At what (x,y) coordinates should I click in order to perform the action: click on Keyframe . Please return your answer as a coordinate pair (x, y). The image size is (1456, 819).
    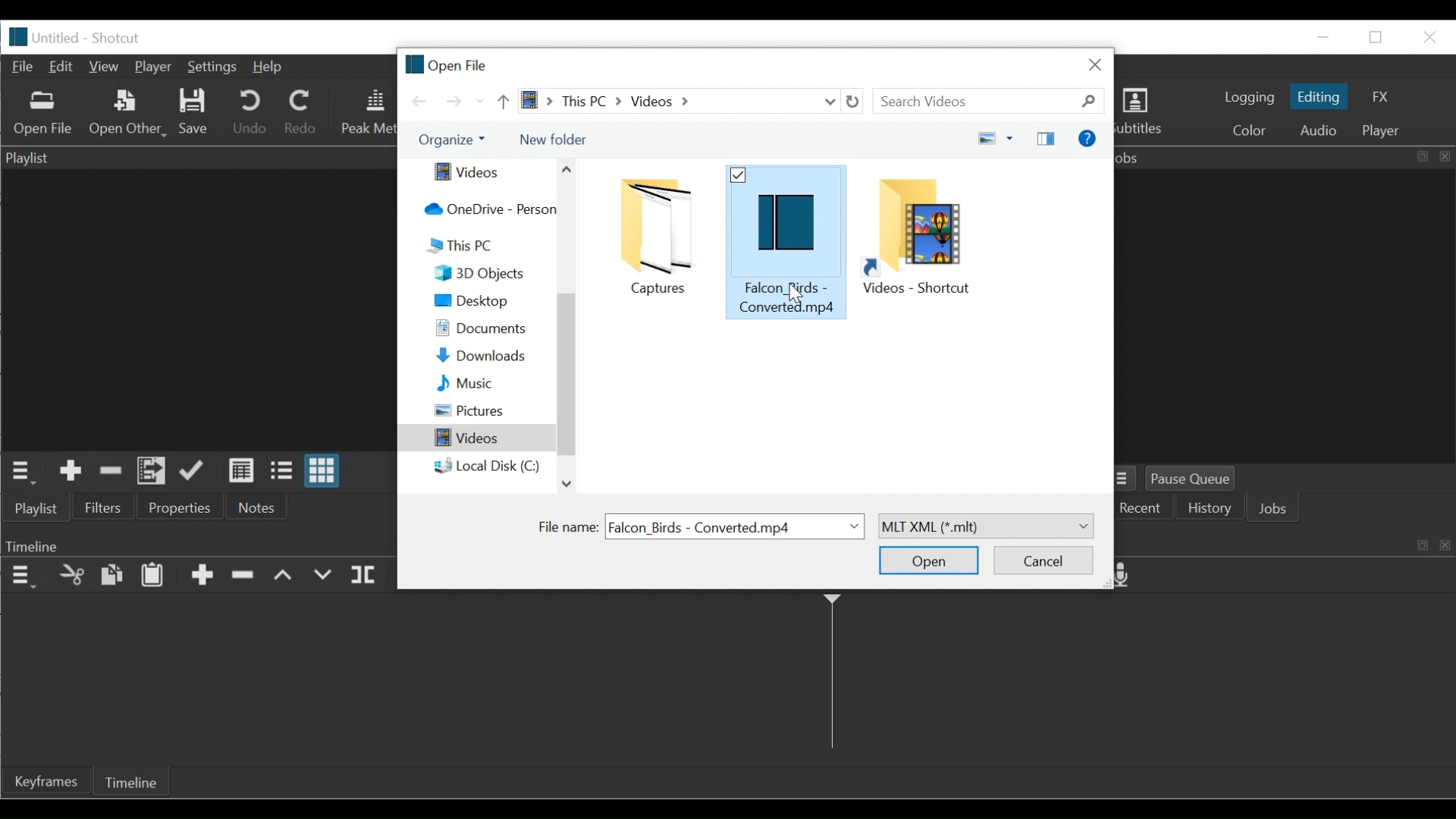
    Looking at the image, I should click on (45, 780).